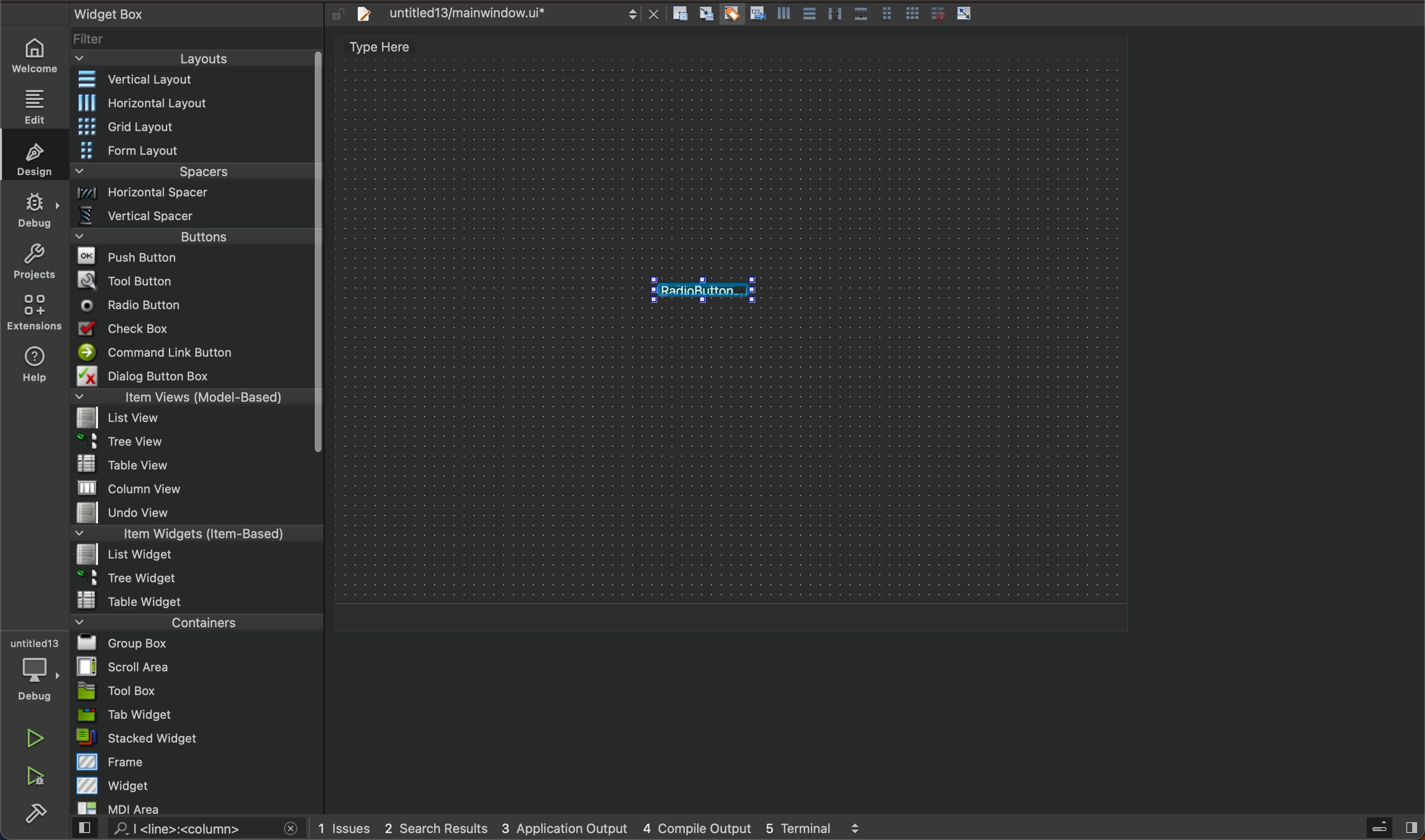 The height and width of the screenshot is (840, 1425). What do you see at coordinates (197, 512) in the screenshot?
I see `undo view` at bounding box center [197, 512].